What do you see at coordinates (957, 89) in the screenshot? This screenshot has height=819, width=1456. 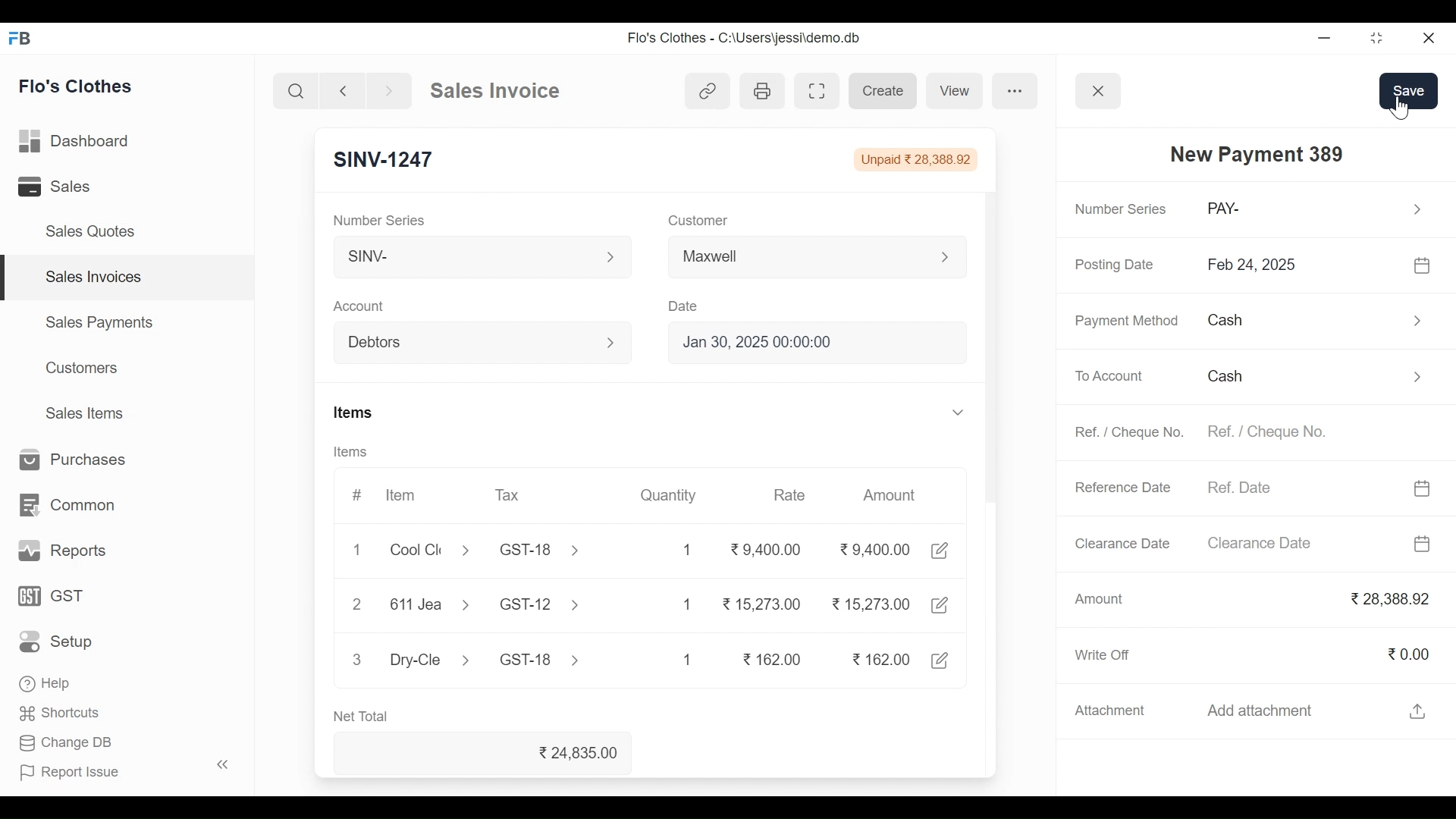 I see `View` at bounding box center [957, 89].